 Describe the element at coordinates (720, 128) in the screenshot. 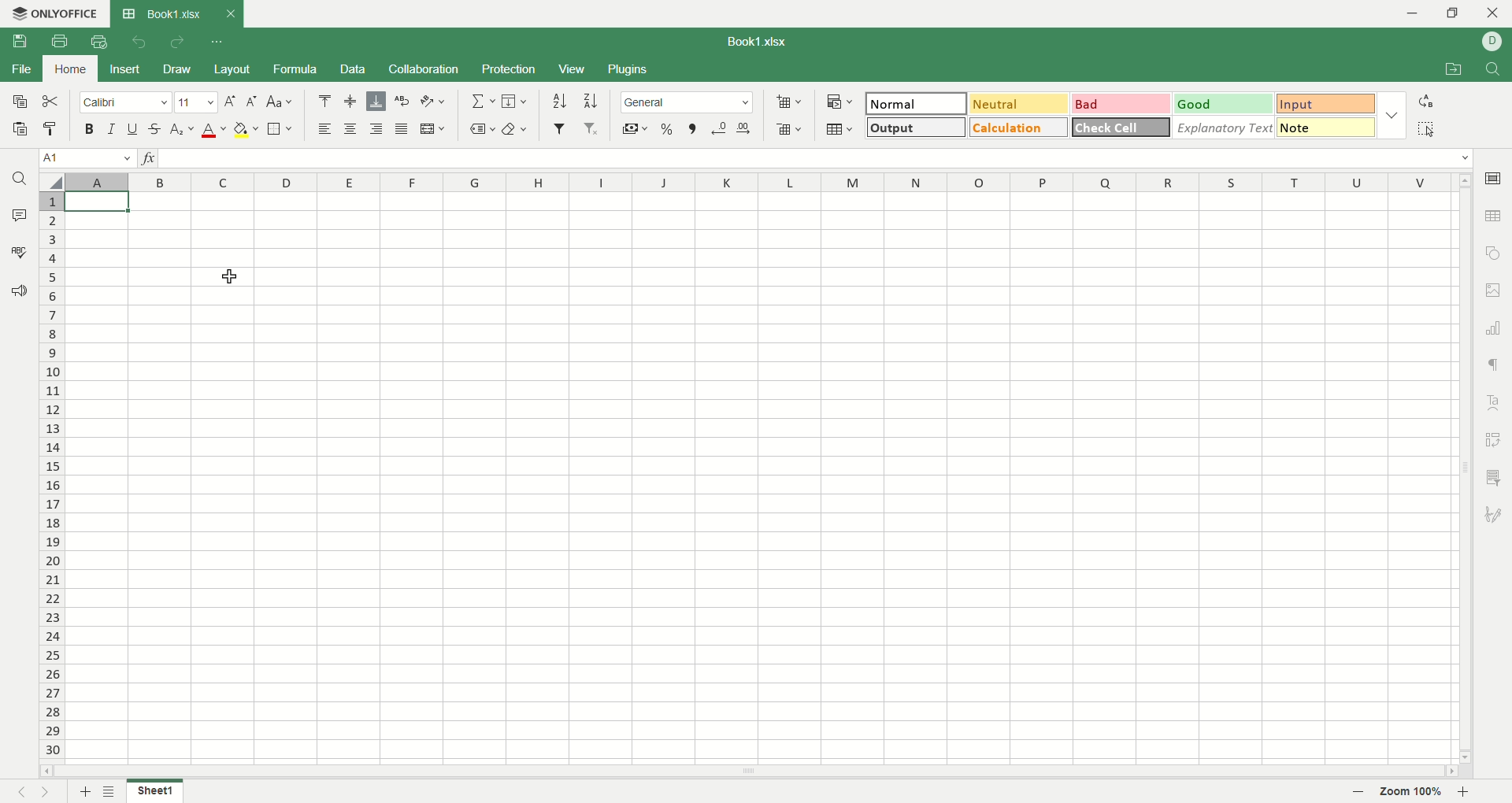

I see `decrease decimal` at that location.